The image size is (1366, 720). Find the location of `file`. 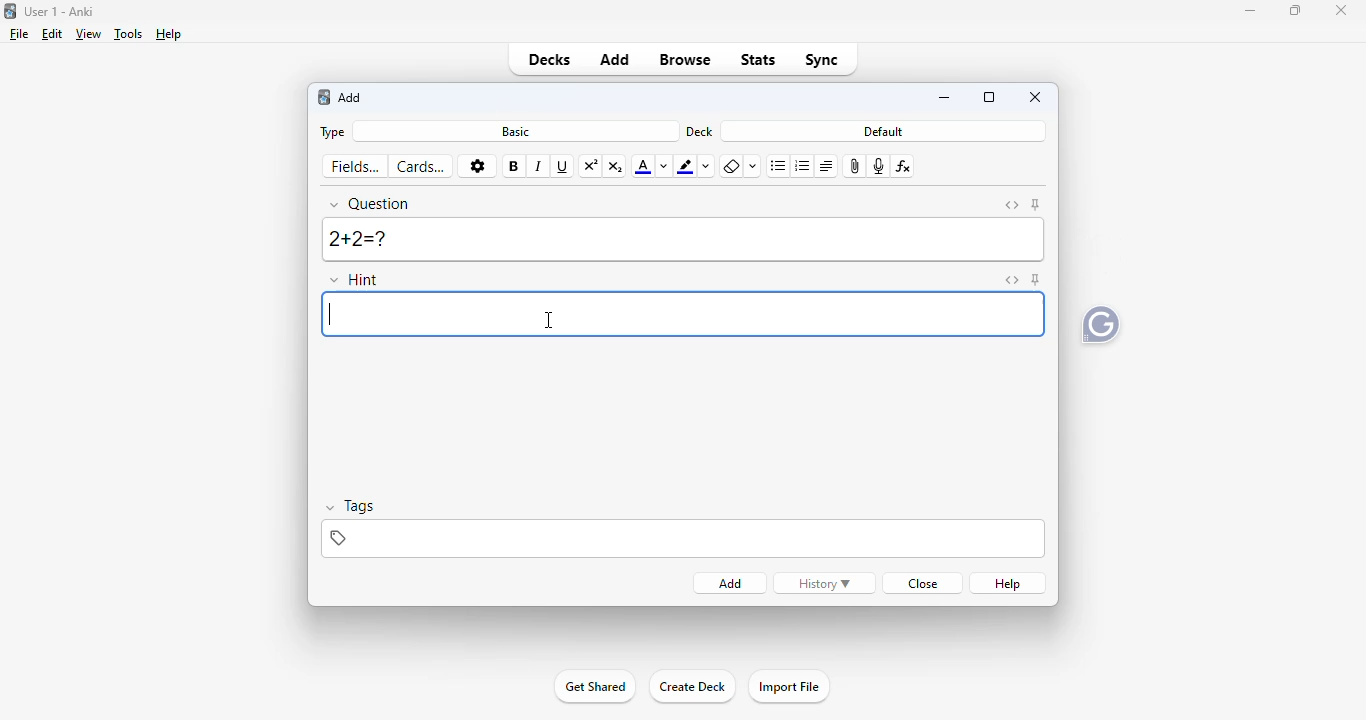

file is located at coordinates (20, 34).